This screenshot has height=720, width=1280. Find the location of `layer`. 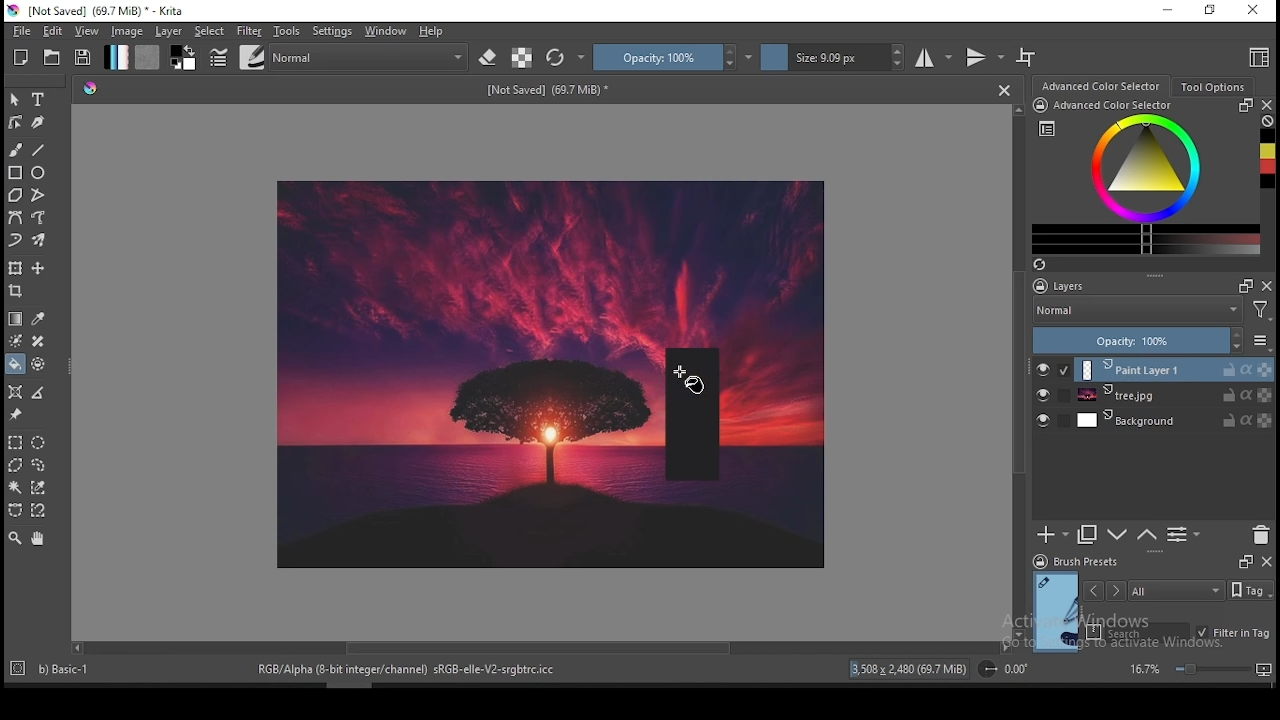

layer is located at coordinates (1173, 396).